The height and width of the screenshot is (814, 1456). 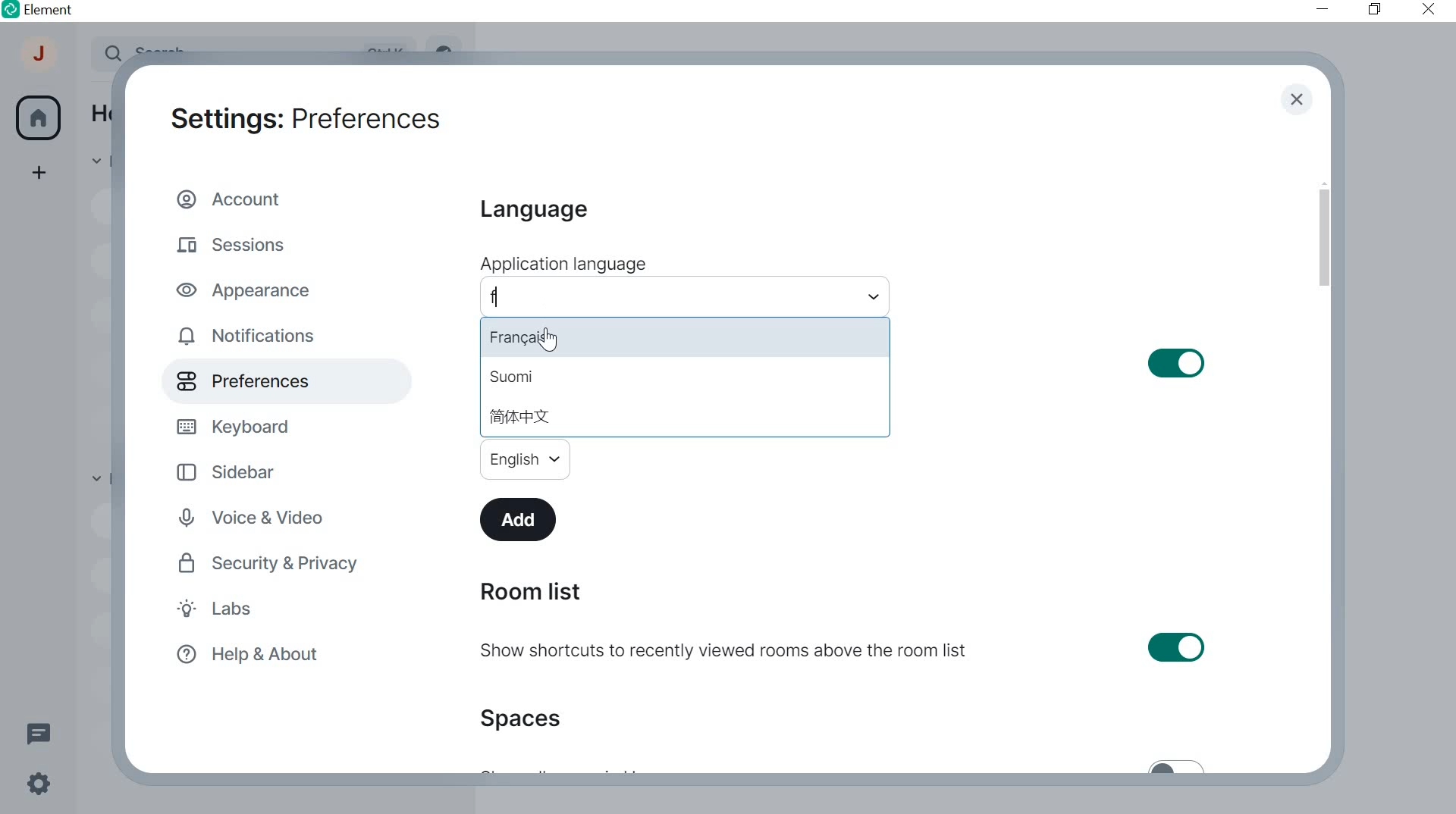 I want to click on show shortcuts to recently viewed rooms above the room list, so click(x=845, y=650).